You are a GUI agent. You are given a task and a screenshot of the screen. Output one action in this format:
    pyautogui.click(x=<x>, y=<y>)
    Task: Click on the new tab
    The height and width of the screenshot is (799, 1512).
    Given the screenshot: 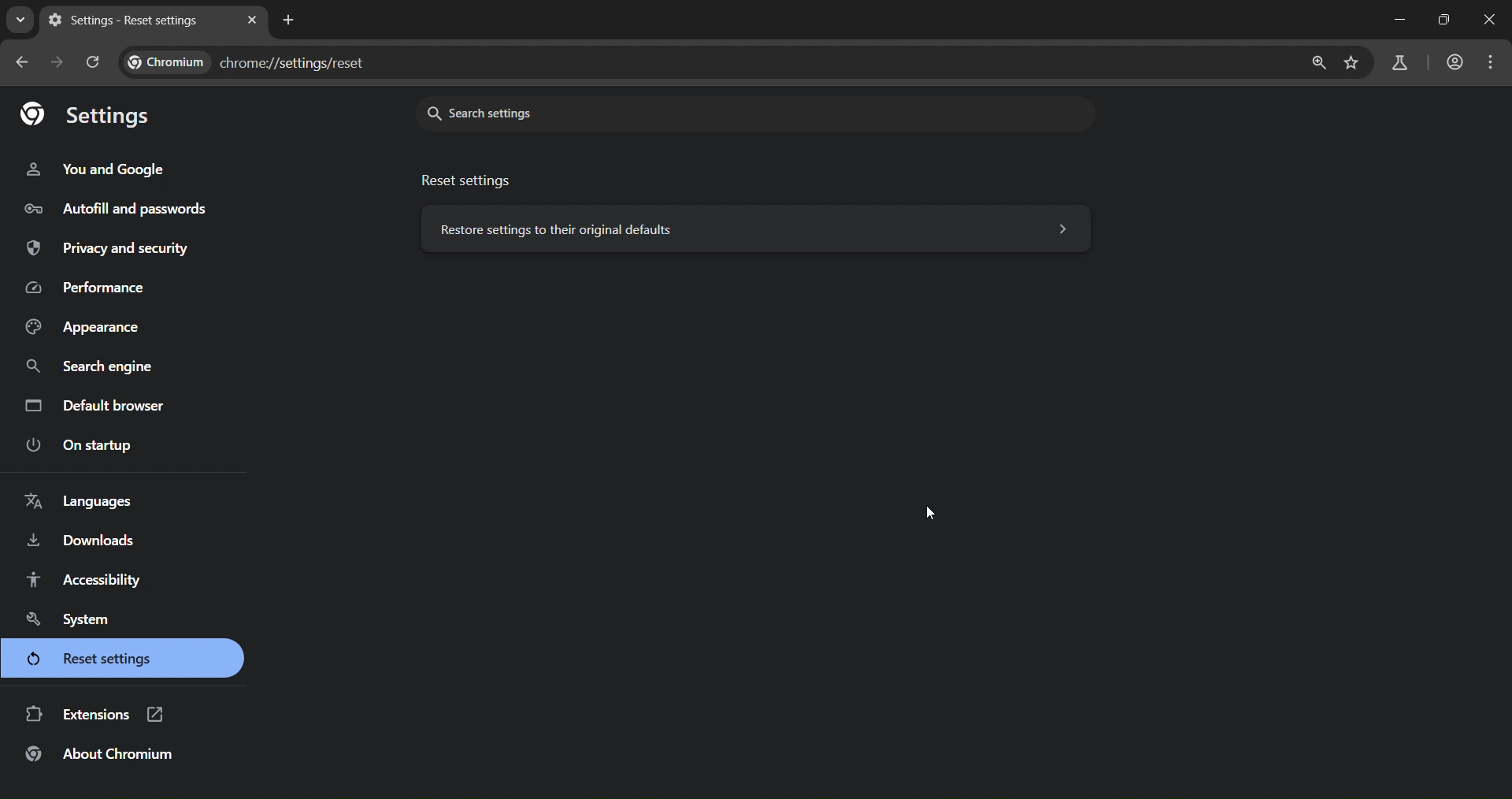 What is the action you would take?
    pyautogui.click(x=289, y=20)
    